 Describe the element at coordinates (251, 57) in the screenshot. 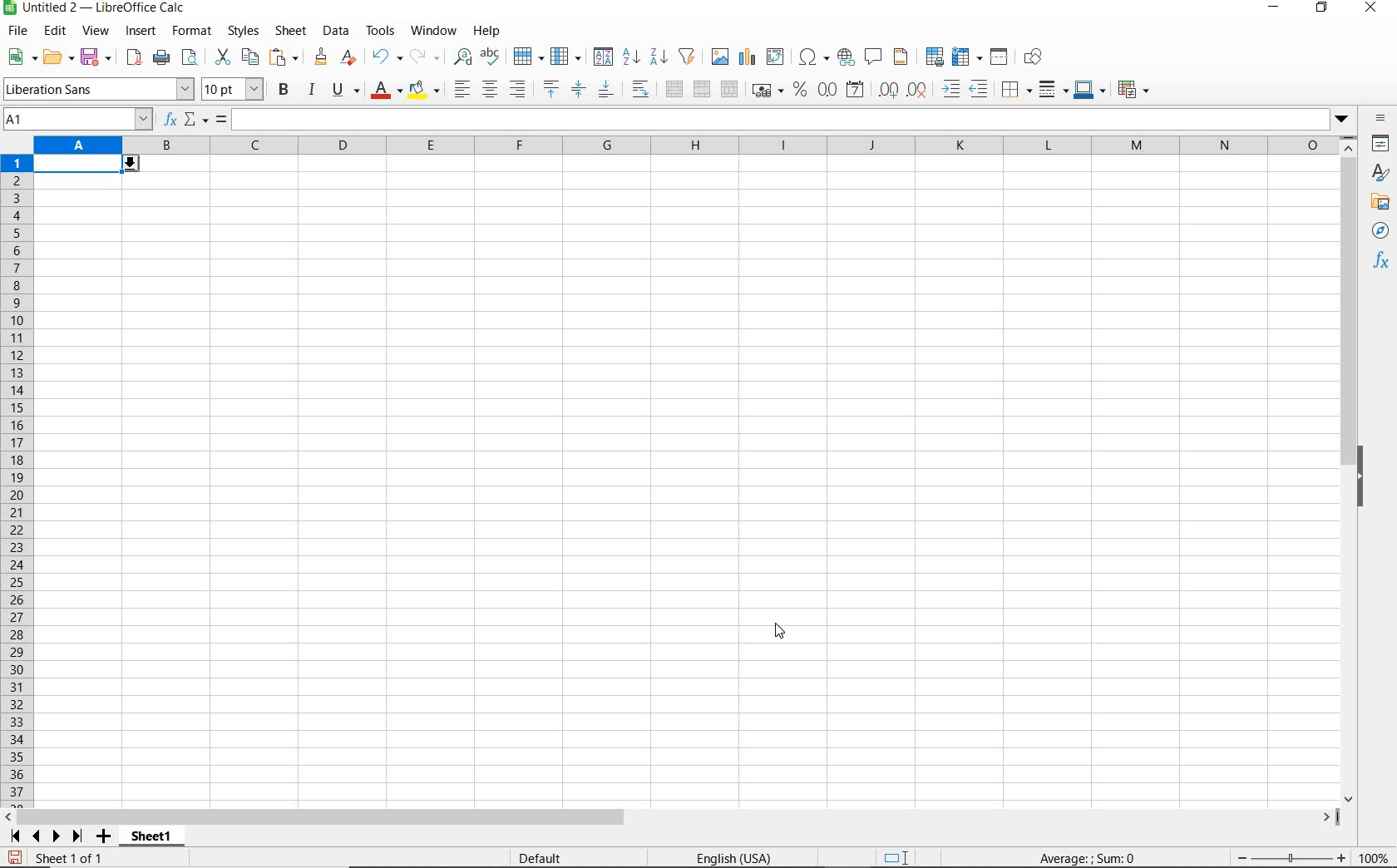

I see `copy` at that location.